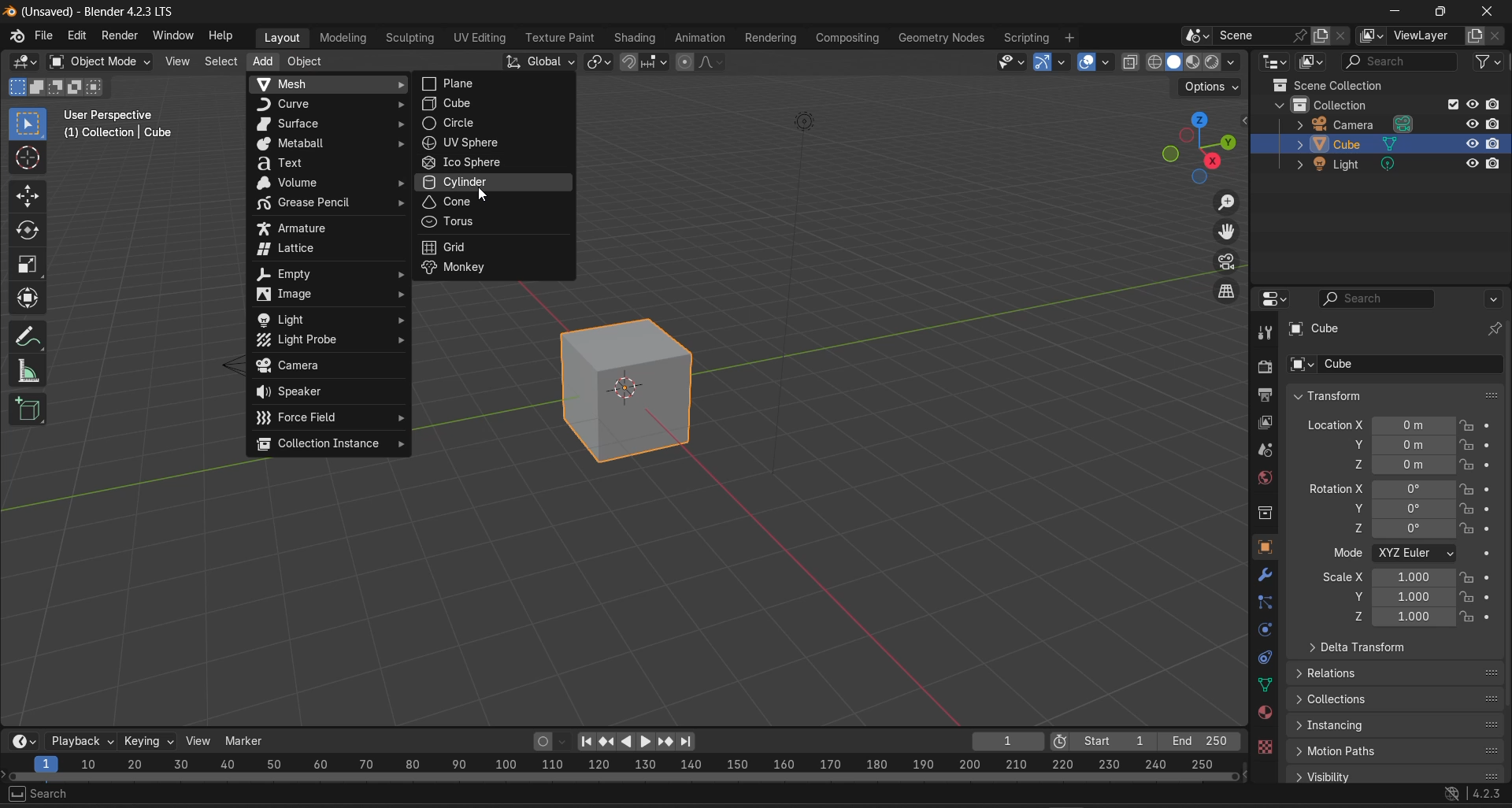 The image size is (1512, 808). I want to click on viewport shading:wireframe, so click(1151, 61).